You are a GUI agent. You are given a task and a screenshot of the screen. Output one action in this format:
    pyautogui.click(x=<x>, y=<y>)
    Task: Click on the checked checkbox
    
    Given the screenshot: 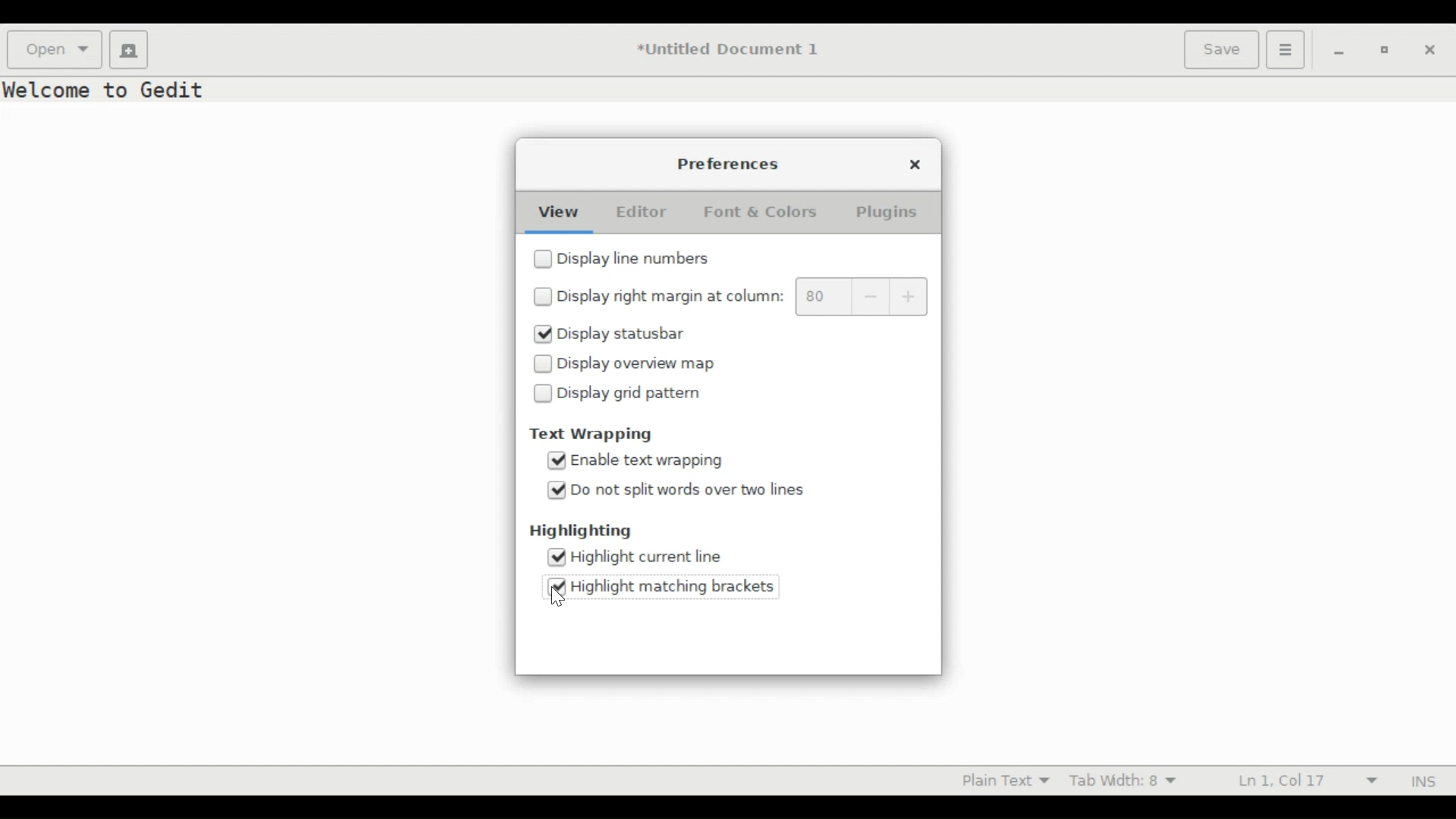 What is the action you would take?
    pyautogui.click(x=557, y=491)
    